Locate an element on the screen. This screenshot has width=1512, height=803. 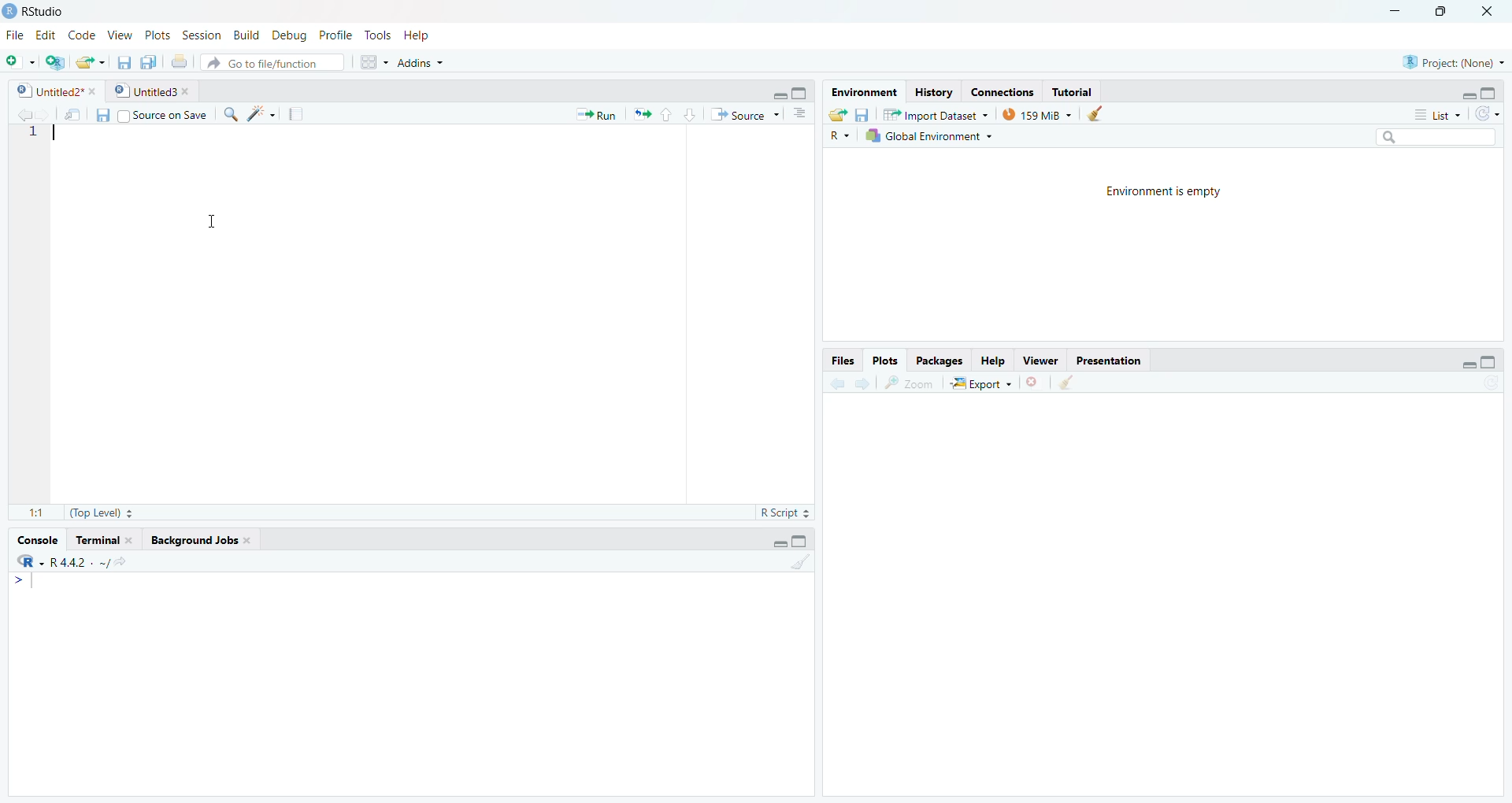
Global Environment is located at coordinates (928, 135).